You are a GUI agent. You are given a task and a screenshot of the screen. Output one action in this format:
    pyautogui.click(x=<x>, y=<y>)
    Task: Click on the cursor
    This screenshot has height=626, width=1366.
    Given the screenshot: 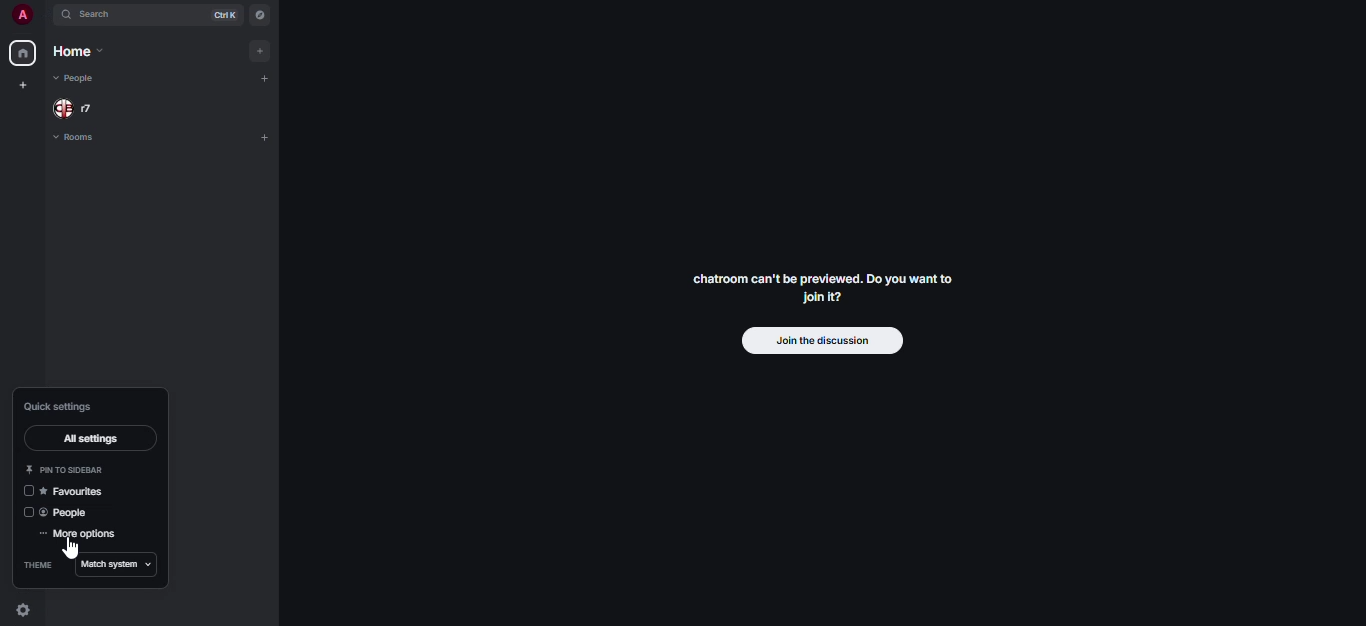 What is the action you would take?
    pyautogui.click(x=71, y=550)
    